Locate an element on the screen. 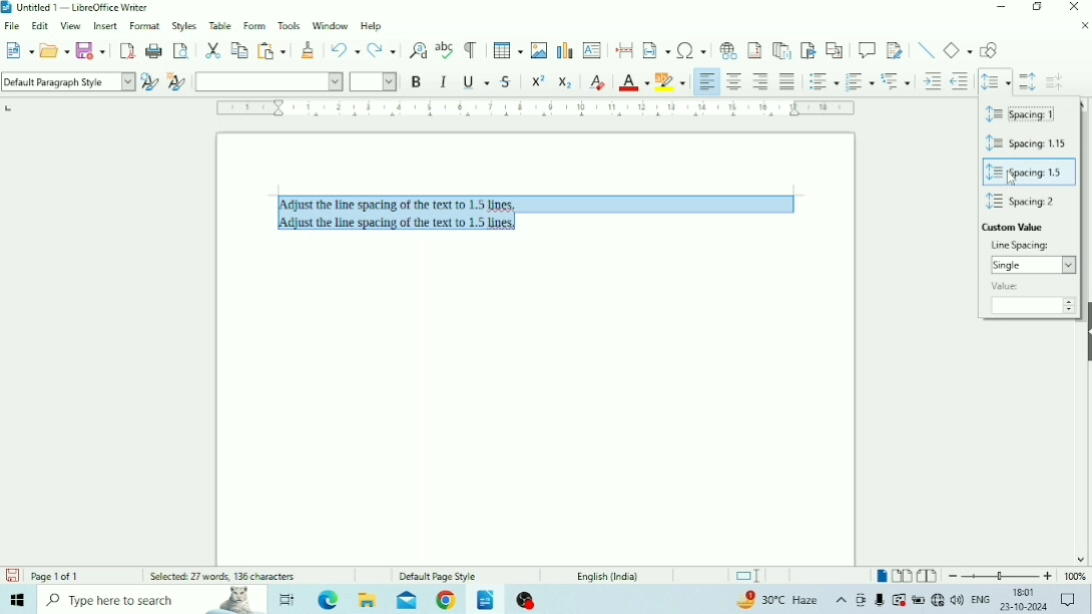 This screenshot has height=614, width=1092. Cut is located at coordinates (212, 50).